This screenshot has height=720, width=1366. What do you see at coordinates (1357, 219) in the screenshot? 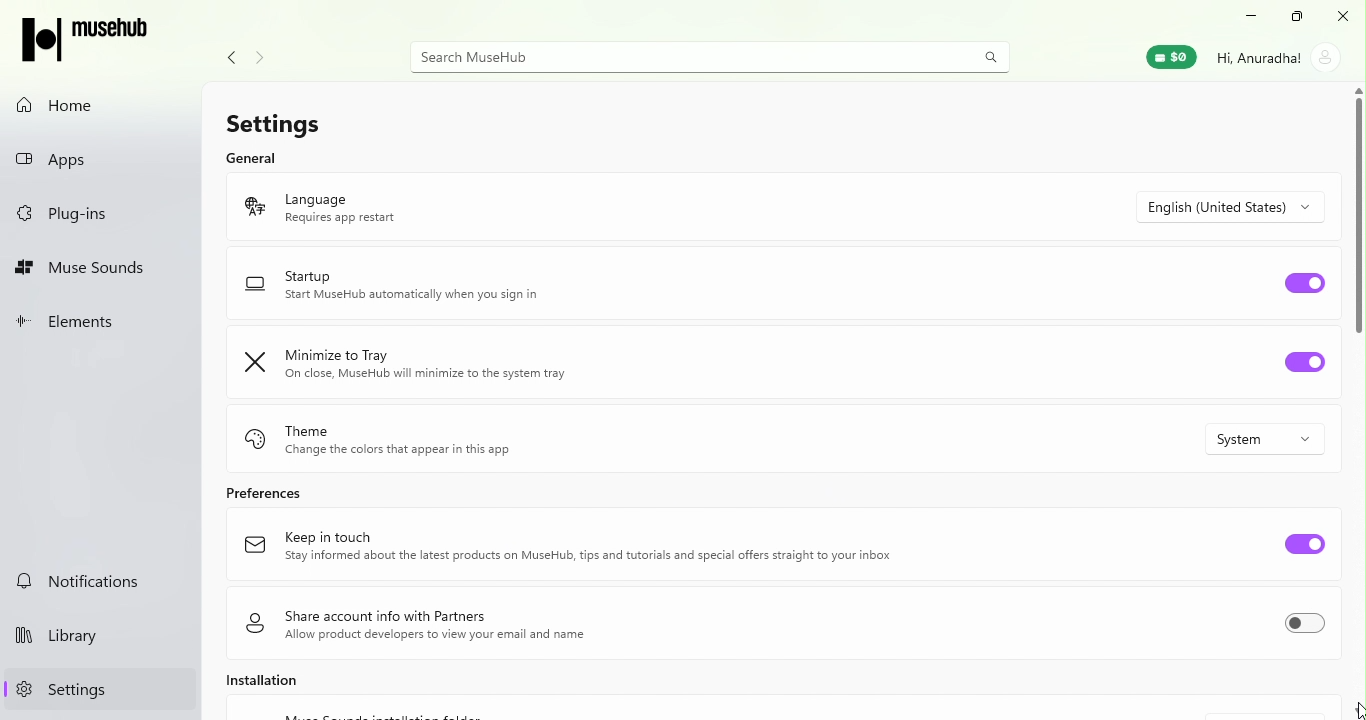
I see `Scroll bar` at bounding box center [1357, 219].